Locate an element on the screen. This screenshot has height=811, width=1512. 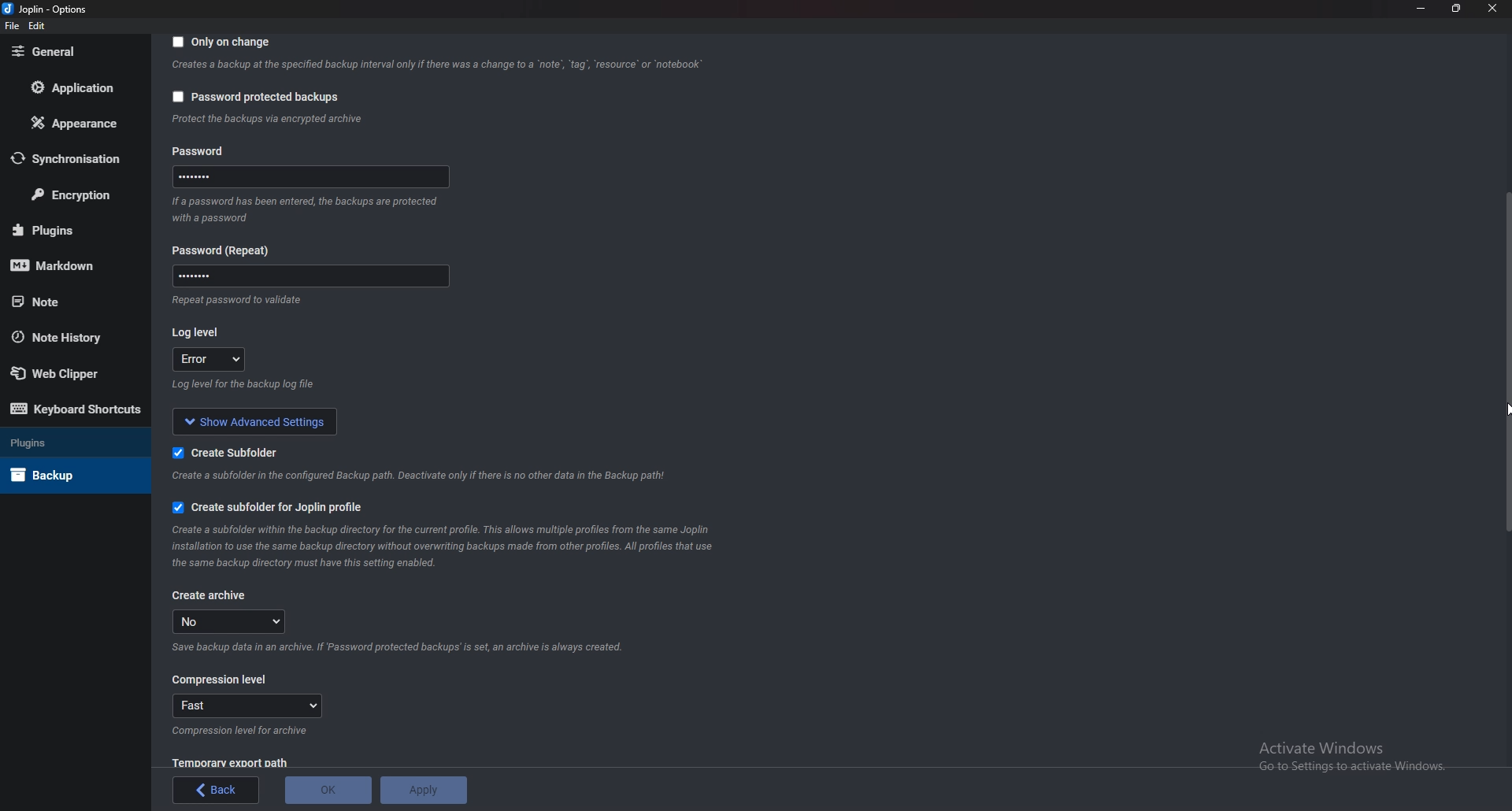
Web Clipper is located at coordinates (64, 370).